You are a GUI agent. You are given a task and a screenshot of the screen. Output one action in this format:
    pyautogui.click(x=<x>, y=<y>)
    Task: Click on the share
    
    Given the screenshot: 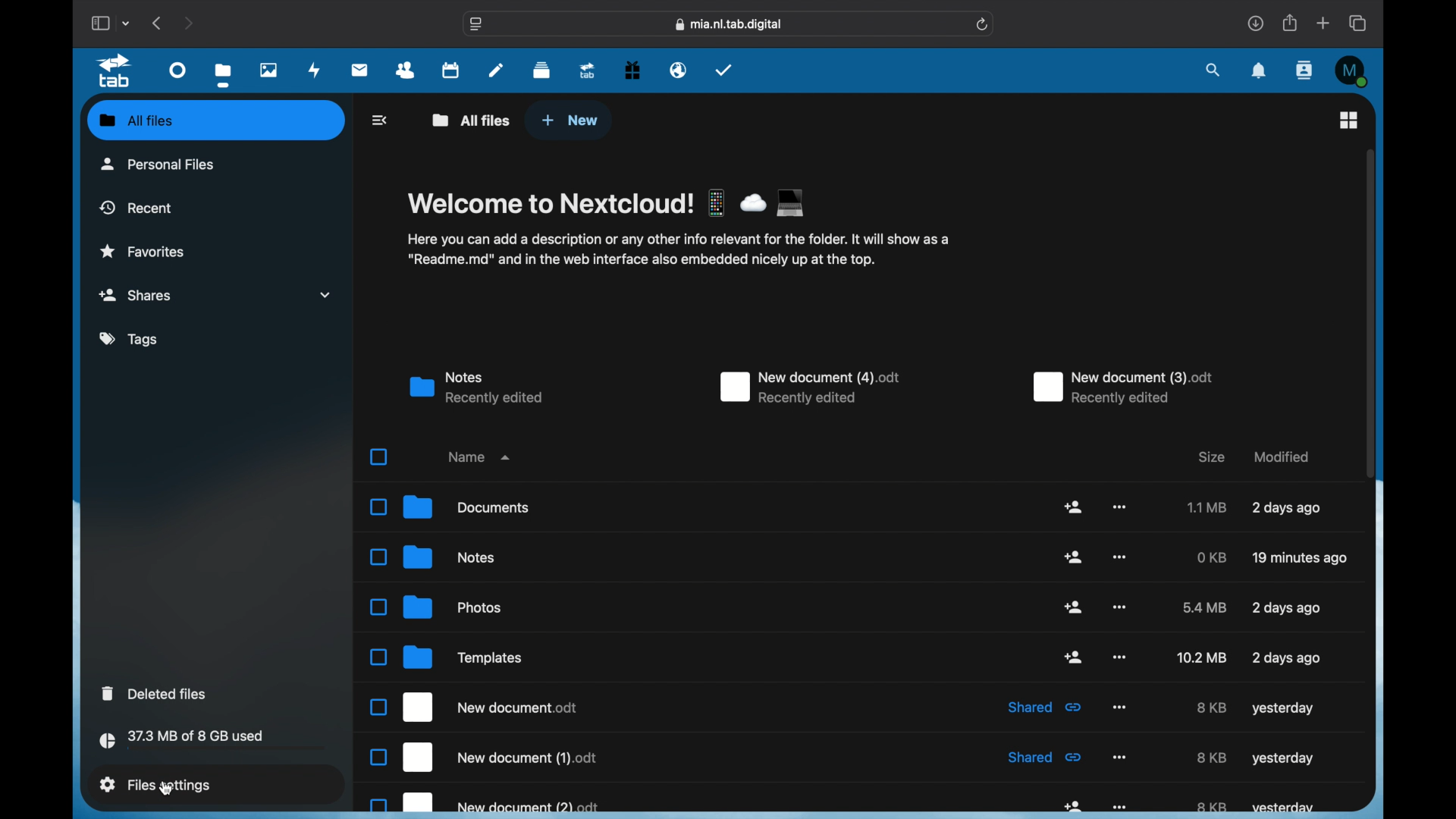 What is the action you would take?
    pyautogui.click(x=1288, y=23)
    